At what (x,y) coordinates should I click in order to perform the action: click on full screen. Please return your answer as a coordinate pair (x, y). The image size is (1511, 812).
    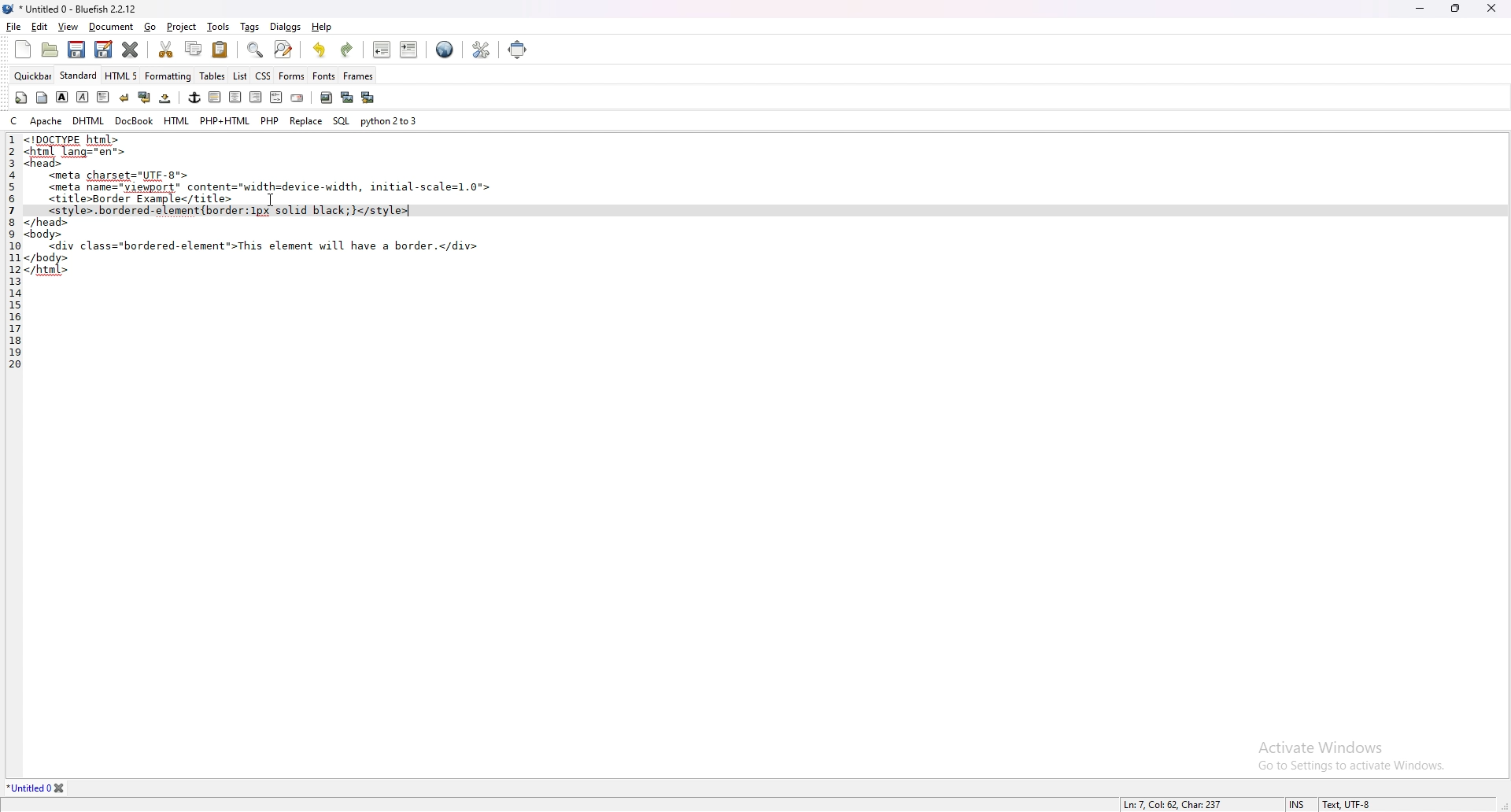
    Looking at the image, I should click on (518, 49).